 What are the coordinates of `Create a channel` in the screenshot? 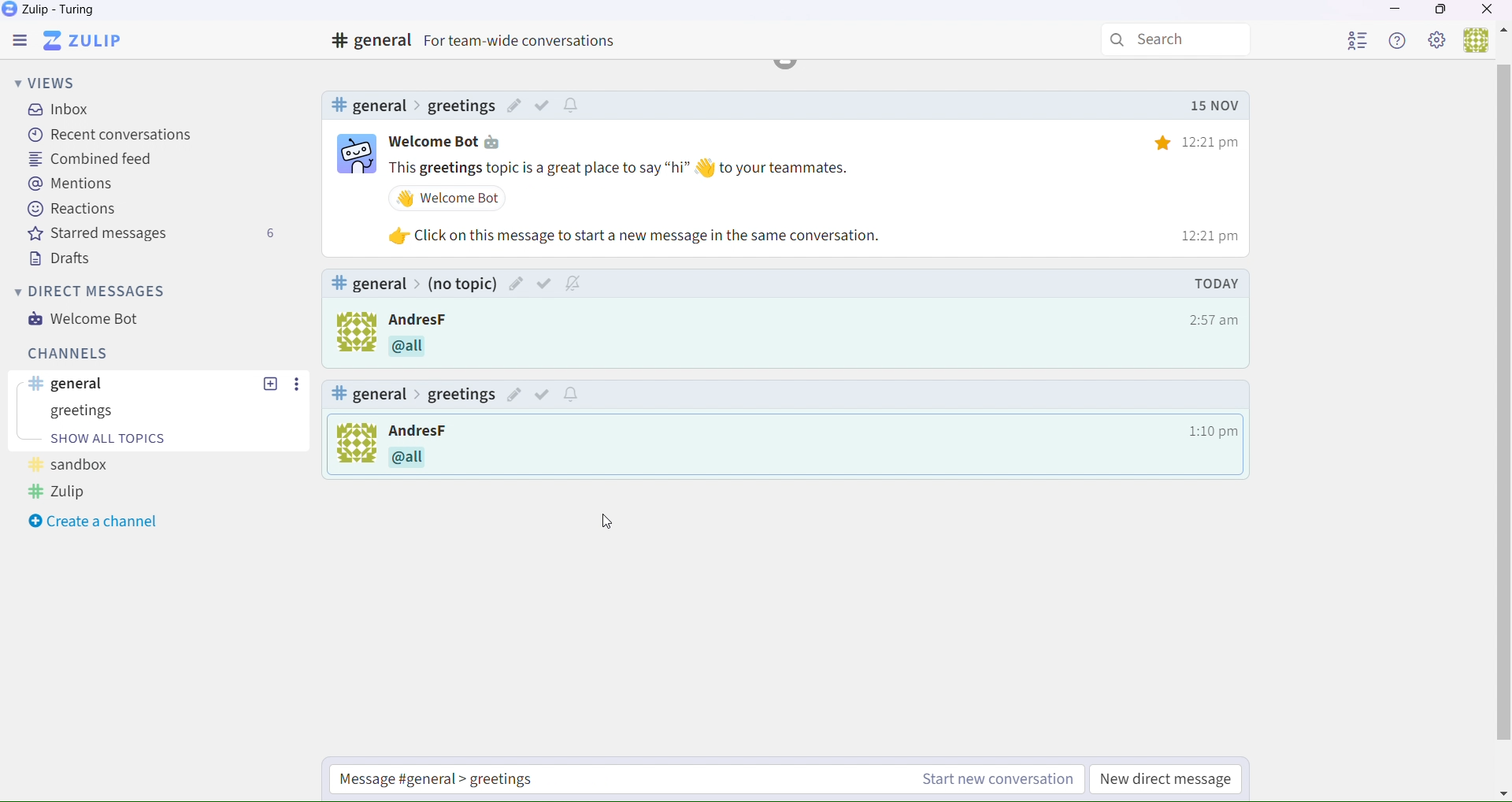 It's located at (98, 522).